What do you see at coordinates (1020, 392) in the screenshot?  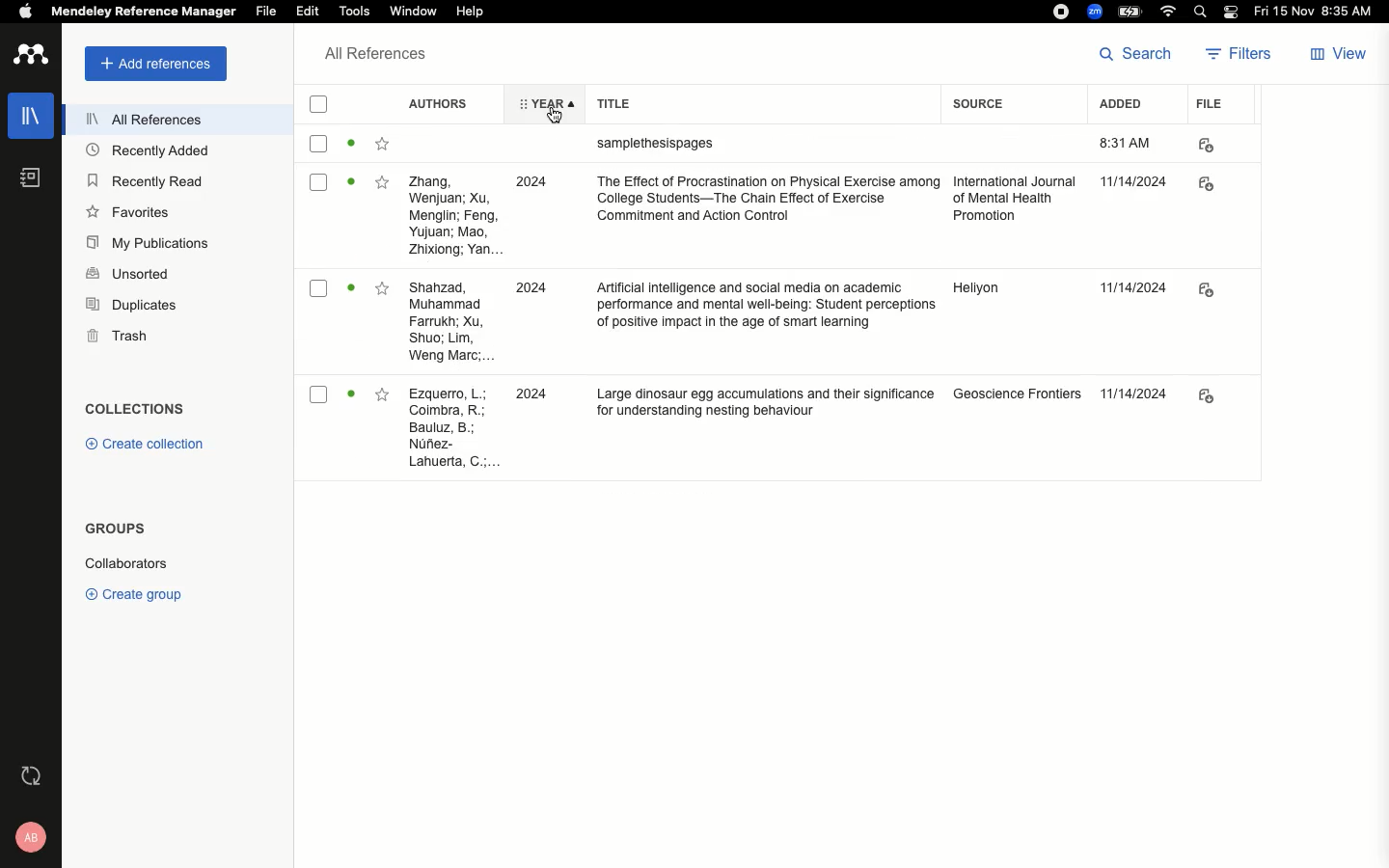 I see `source` at bounding box center [1020, 392].